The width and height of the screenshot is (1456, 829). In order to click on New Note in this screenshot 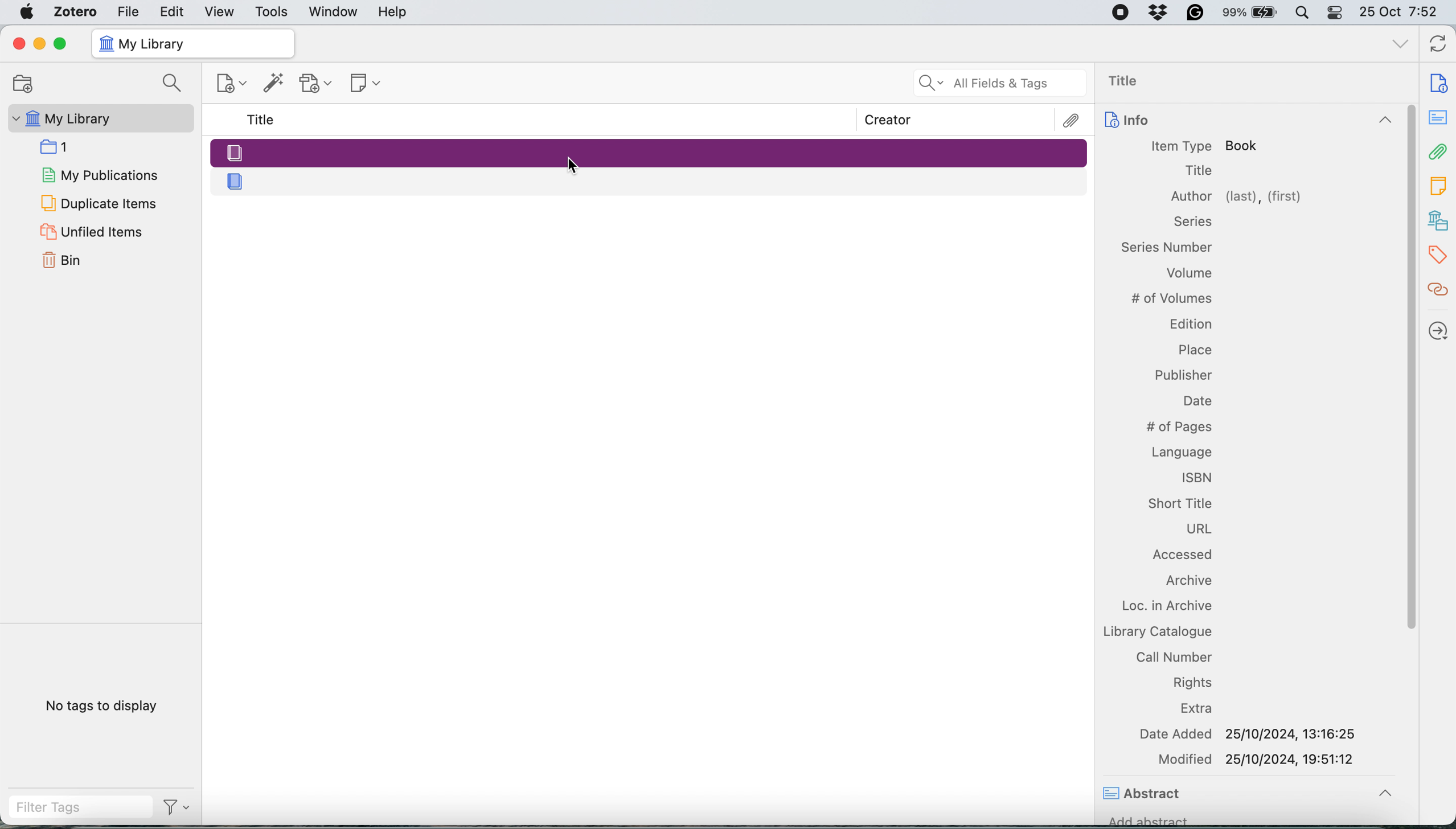, I will do `click(367, 84)`.